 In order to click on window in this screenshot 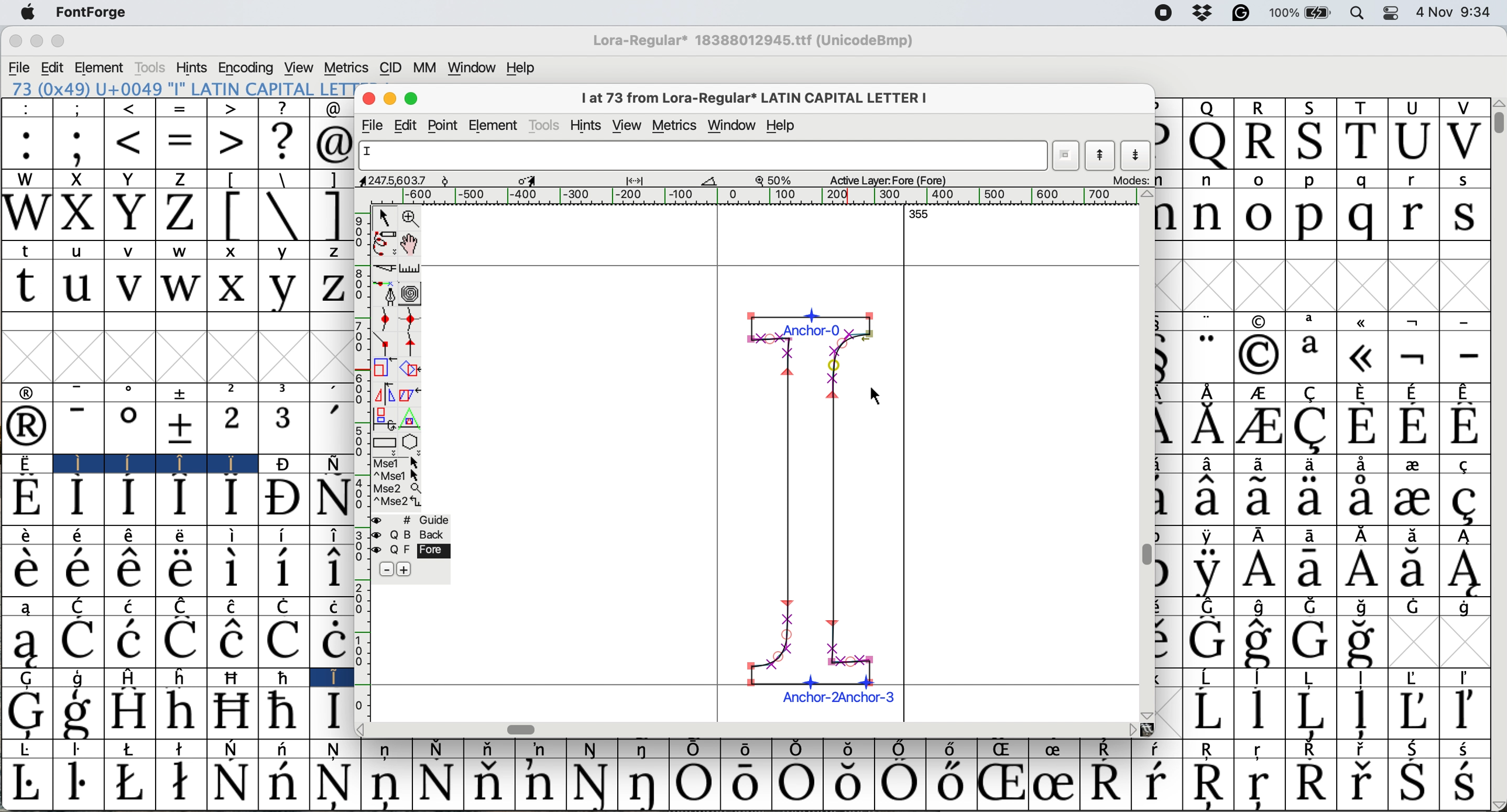, I will do `click(472, 68)`.